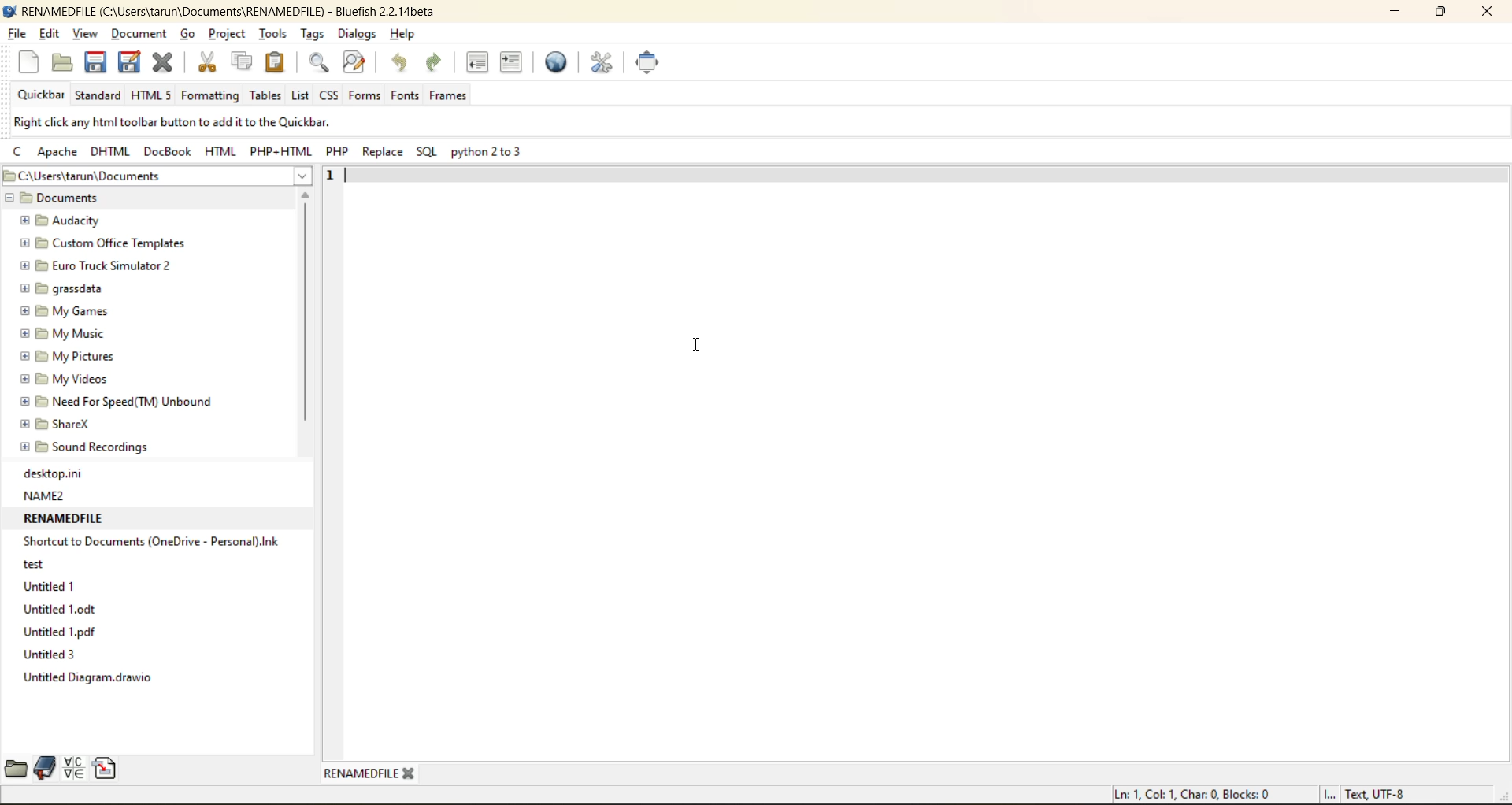  I want to click on tools, so click(275, 34).